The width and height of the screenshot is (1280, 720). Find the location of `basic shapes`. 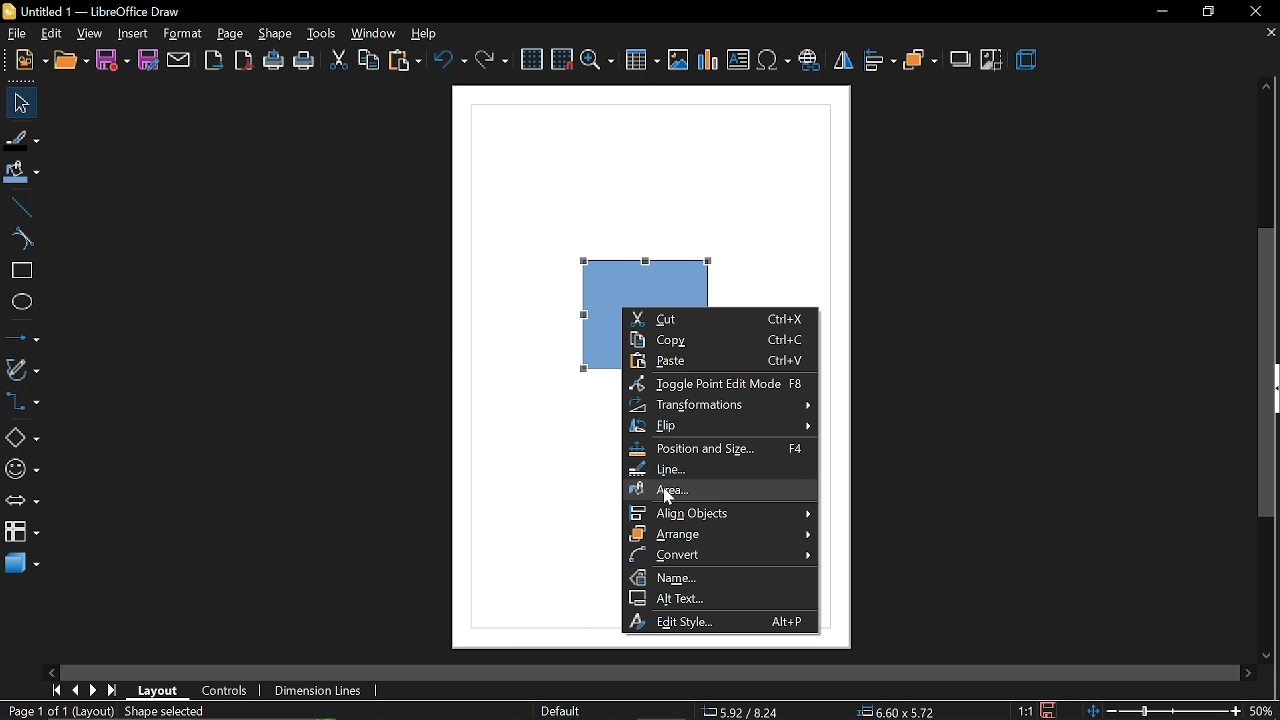

basic shapes is located at coordinates (22, 438).